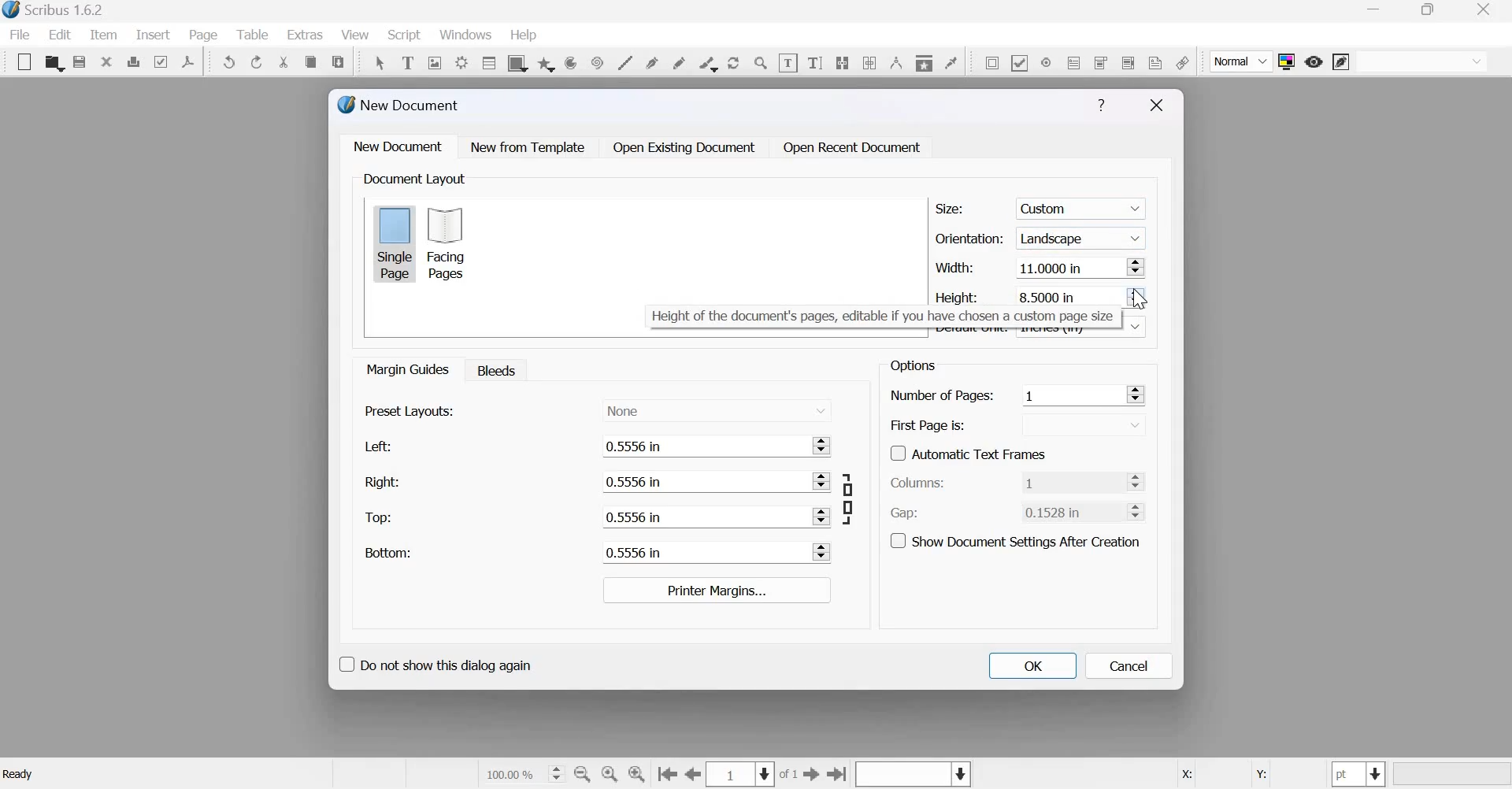 The width and height of the screenshot is (1512, 789). Describe the element at coordinates (989, 62) in the screenshot. I see `PDF push button` at that location.